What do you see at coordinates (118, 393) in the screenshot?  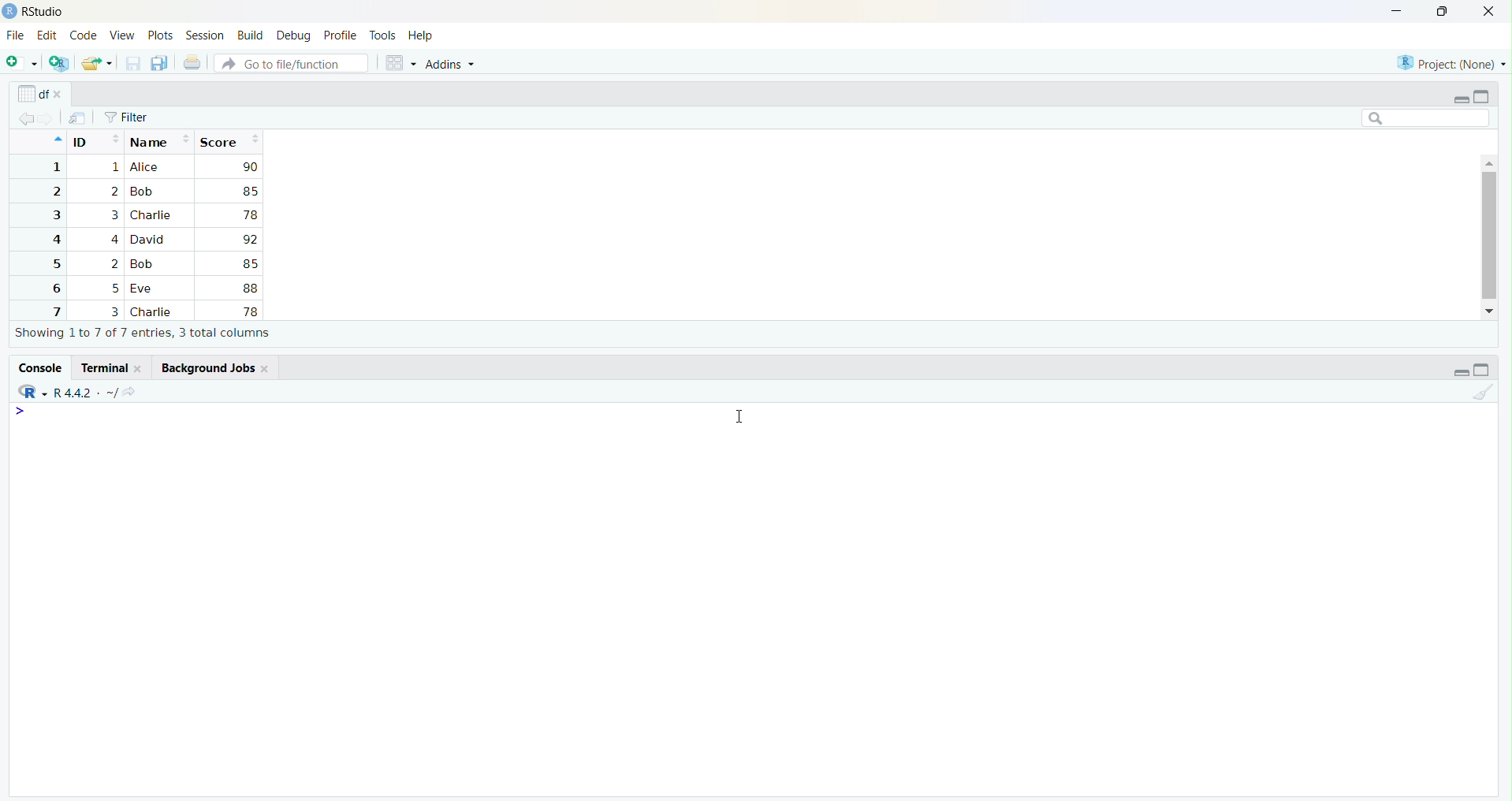 I see `. ~/>` at bounding box center [118, 393].